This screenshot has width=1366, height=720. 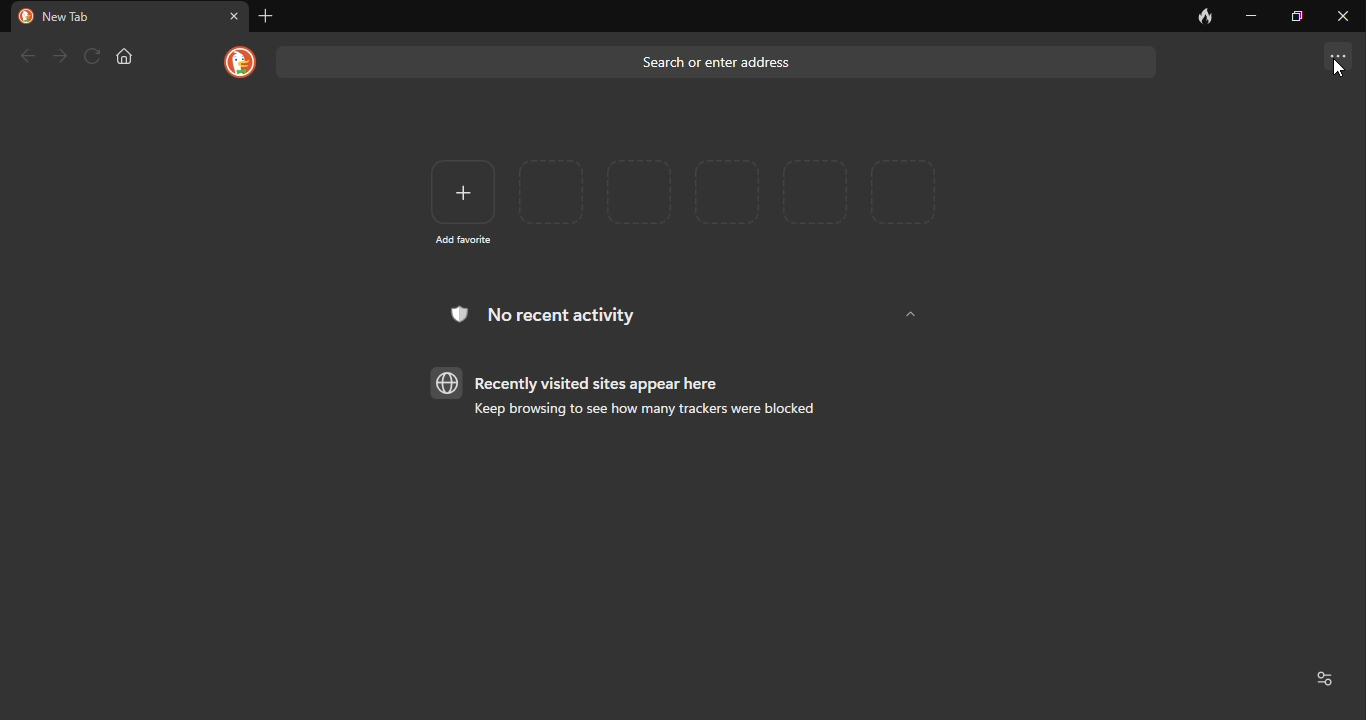 What do you see at coordinates (457, 199) in the screenshot?
I see `add favourites` at bounding box center [457, 199].